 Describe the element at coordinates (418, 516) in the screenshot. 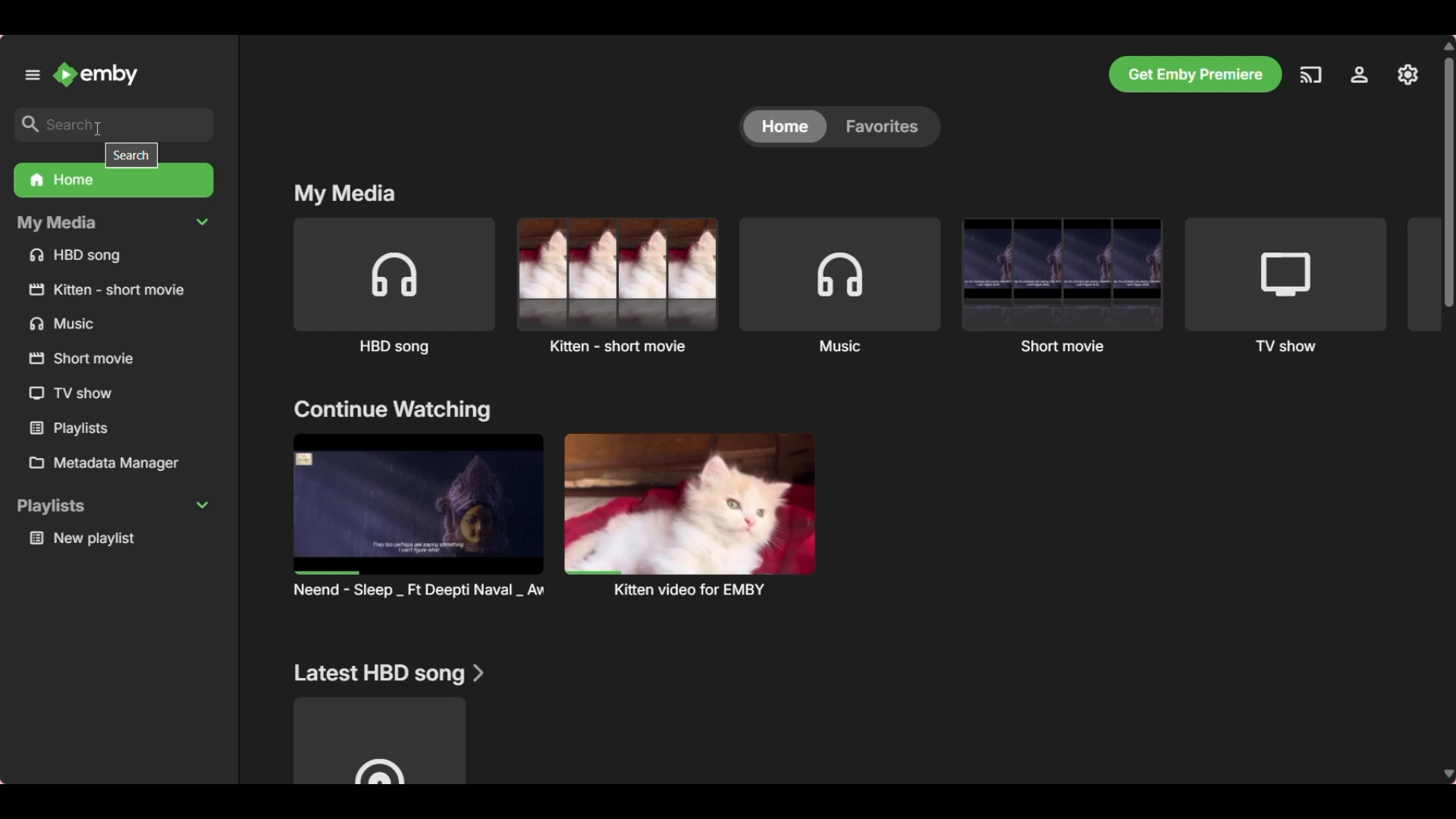

I see `Preview and title of media files under above mention section` at that location.